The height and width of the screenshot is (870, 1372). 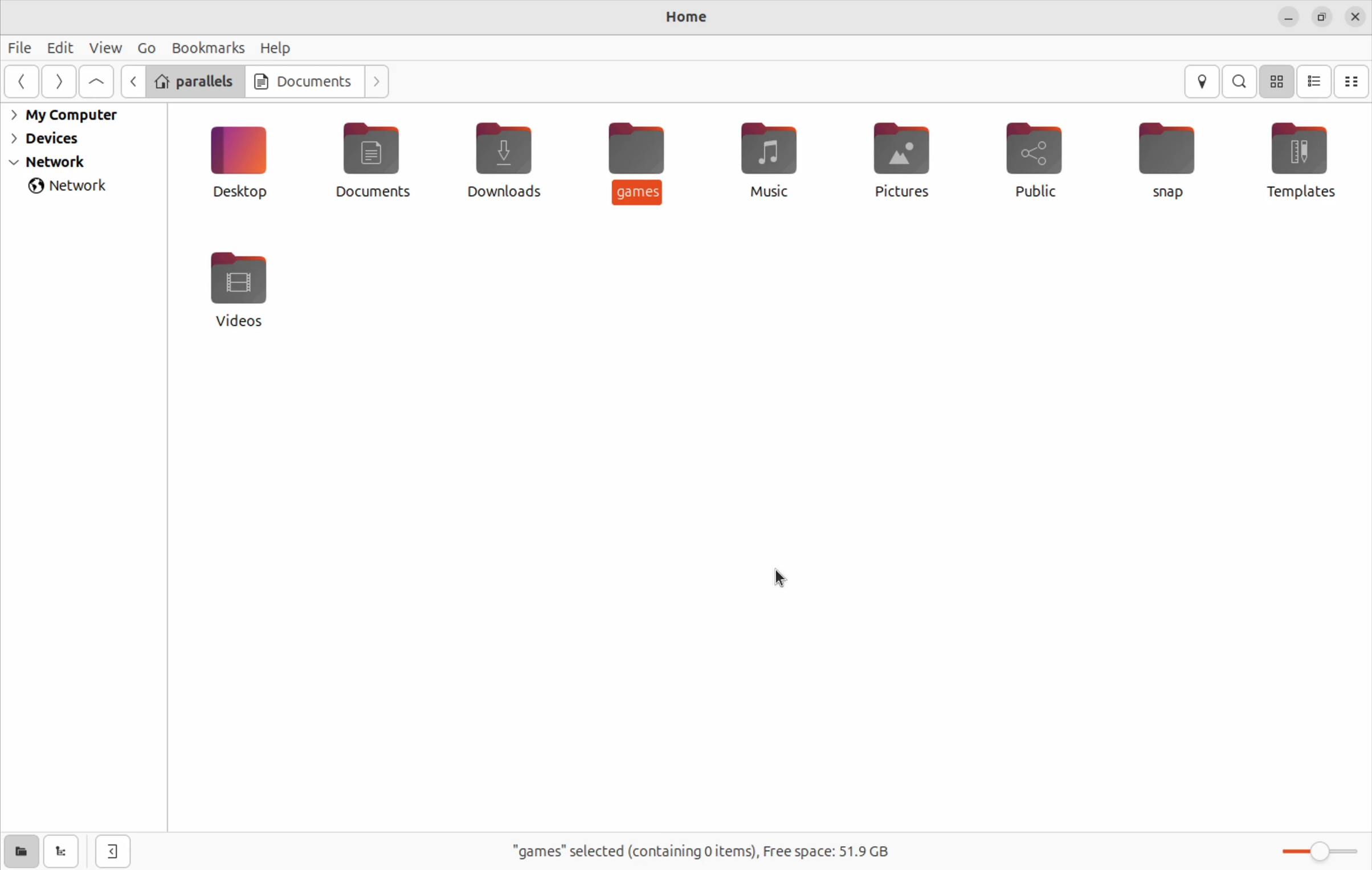 What do you see at coordinates (104, 47) in the screenshot?
I see `view` at bounding box center [104, 47].